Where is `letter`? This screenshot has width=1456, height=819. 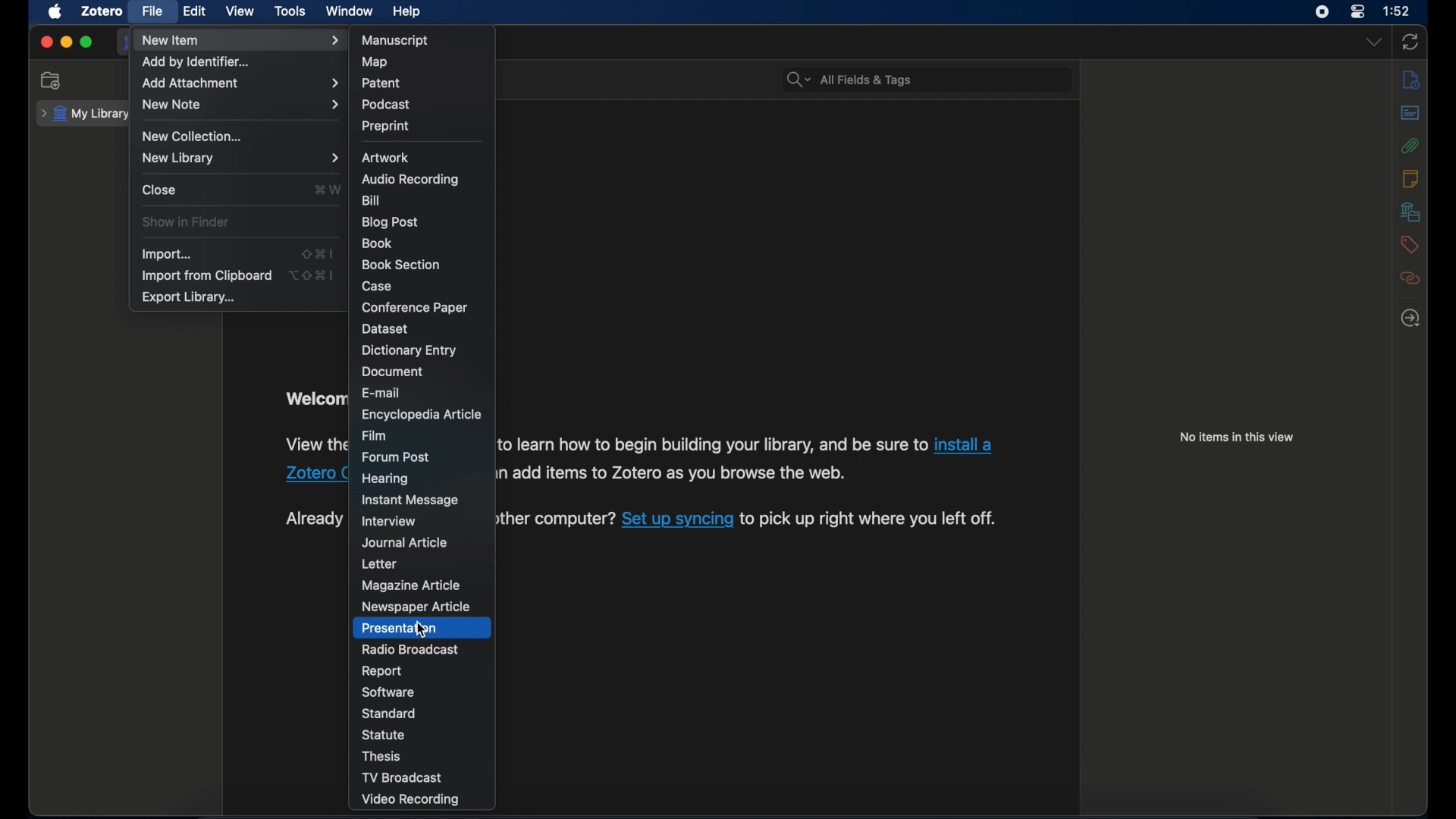 letter is located at coordinates (379, 564).